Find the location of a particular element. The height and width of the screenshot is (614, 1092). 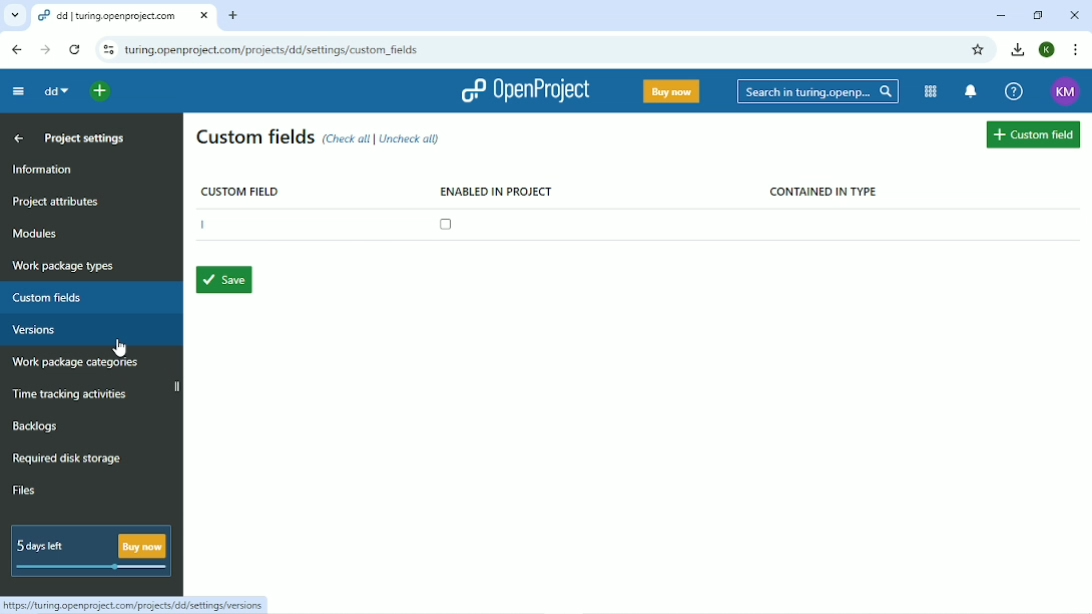

Bookmark this tab is located at coordinates (977, 50).